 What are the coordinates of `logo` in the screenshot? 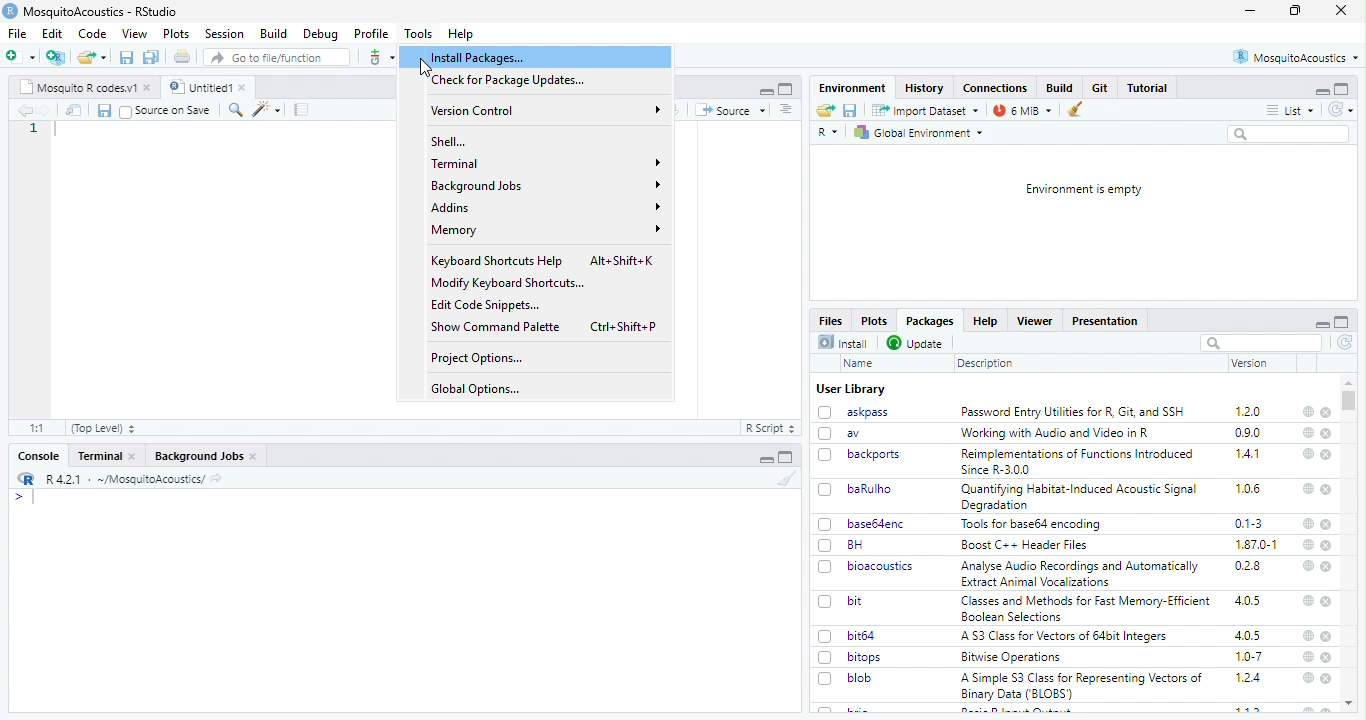 It's located at (10, 11).